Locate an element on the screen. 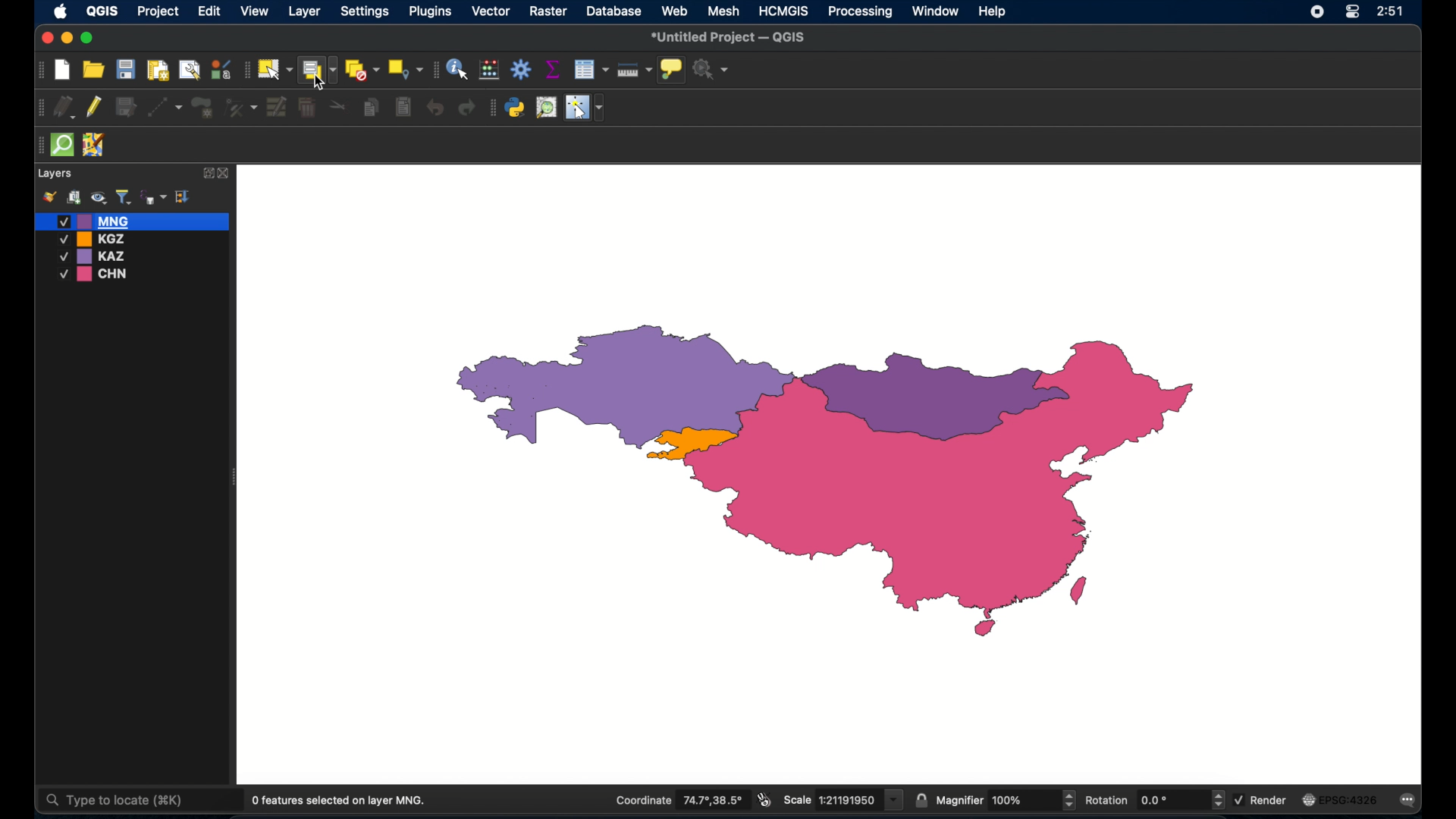 This screenshot has width=1456, height=819. copy is located at coordinates (373, 107).